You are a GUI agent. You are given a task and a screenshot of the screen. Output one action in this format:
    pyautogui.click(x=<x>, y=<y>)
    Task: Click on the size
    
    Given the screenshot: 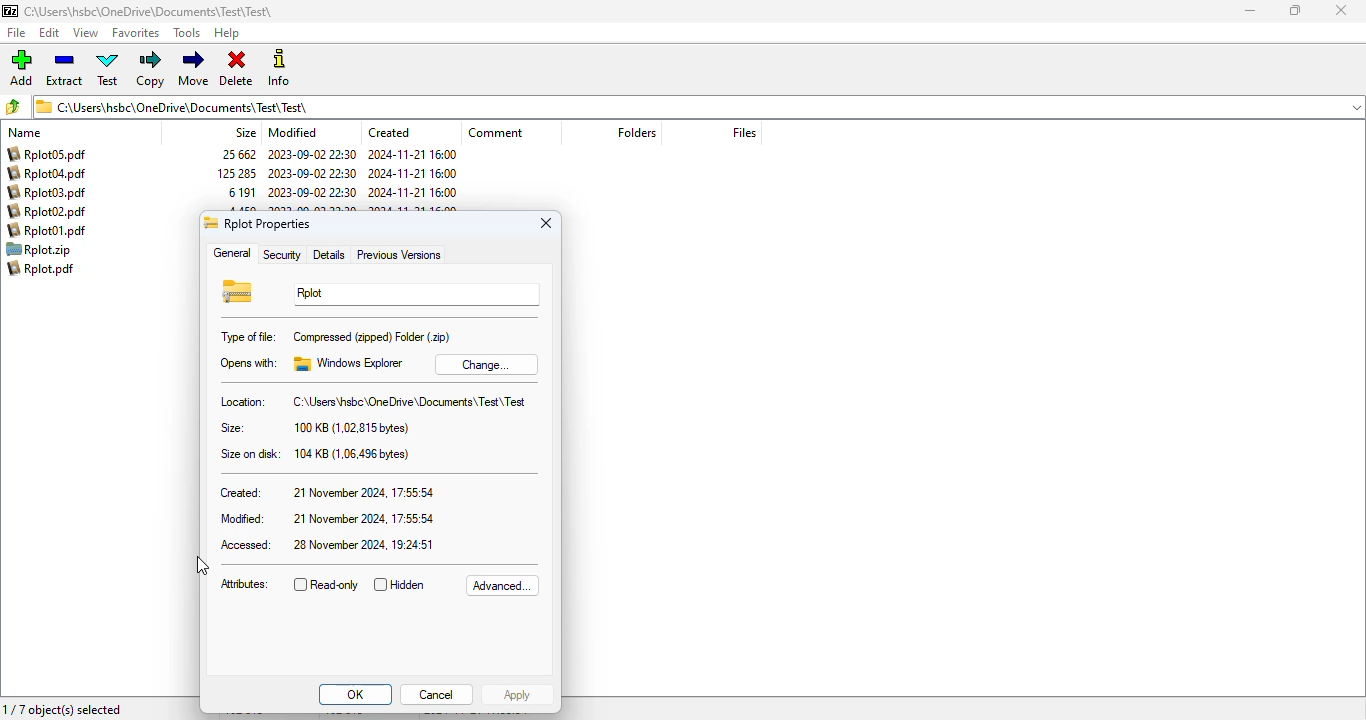 What is the action you would take?
    pyautogui.click(x=245, y=132)
    